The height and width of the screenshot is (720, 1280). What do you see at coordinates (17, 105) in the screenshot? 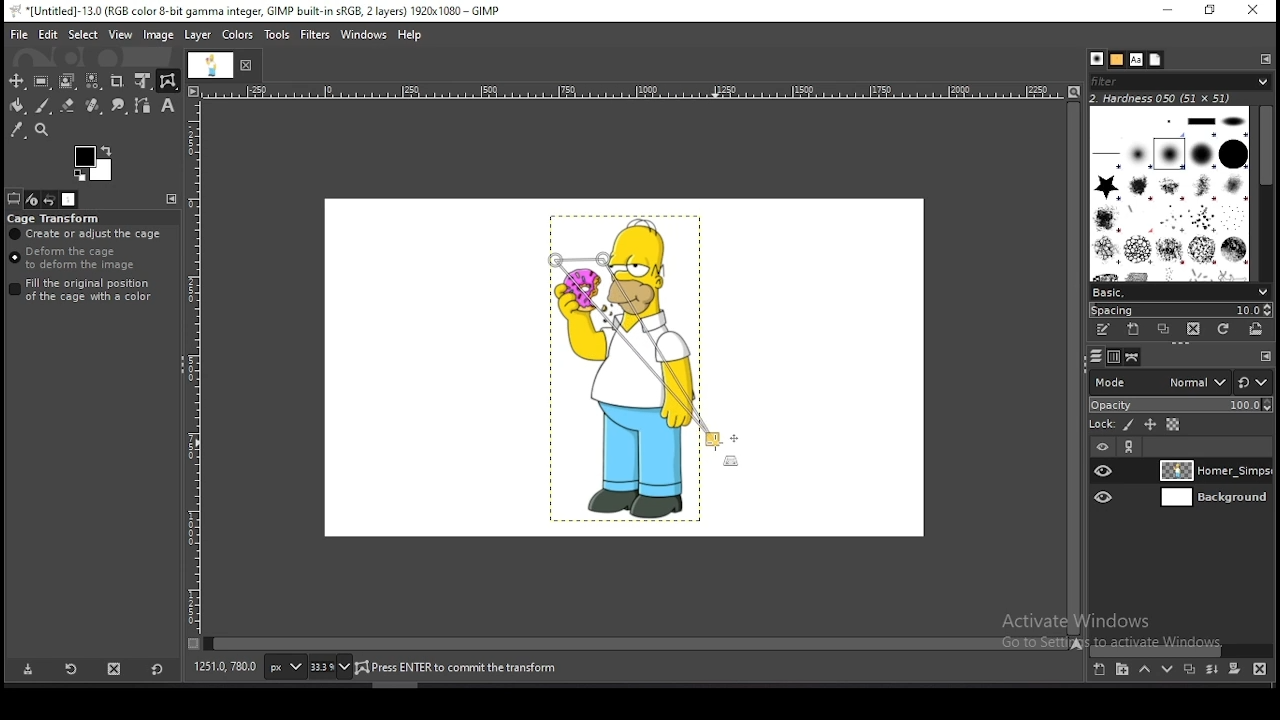
I see `paint bucket tool` at bounding box center [17, 105].